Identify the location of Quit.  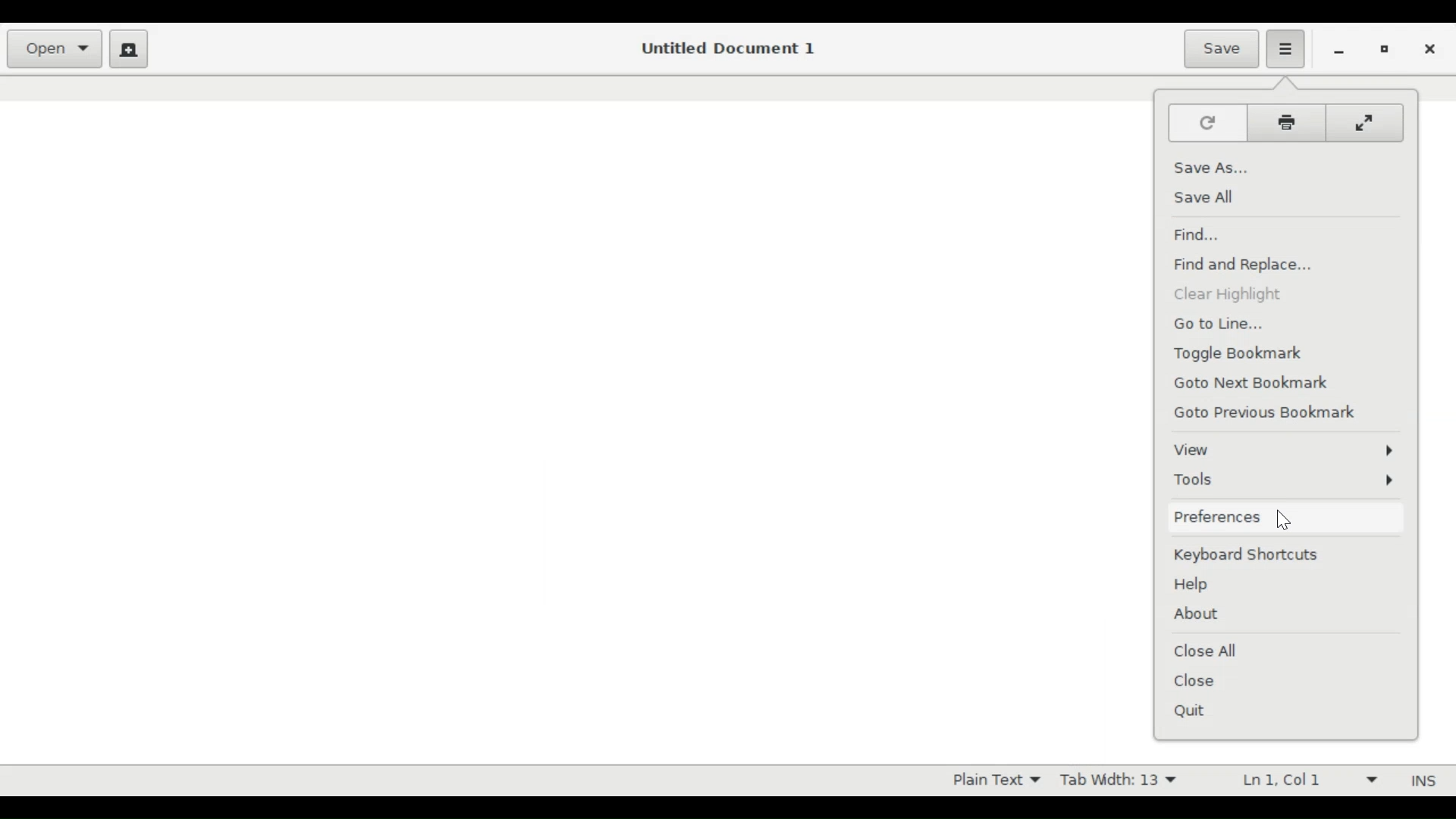
(1193, 712).